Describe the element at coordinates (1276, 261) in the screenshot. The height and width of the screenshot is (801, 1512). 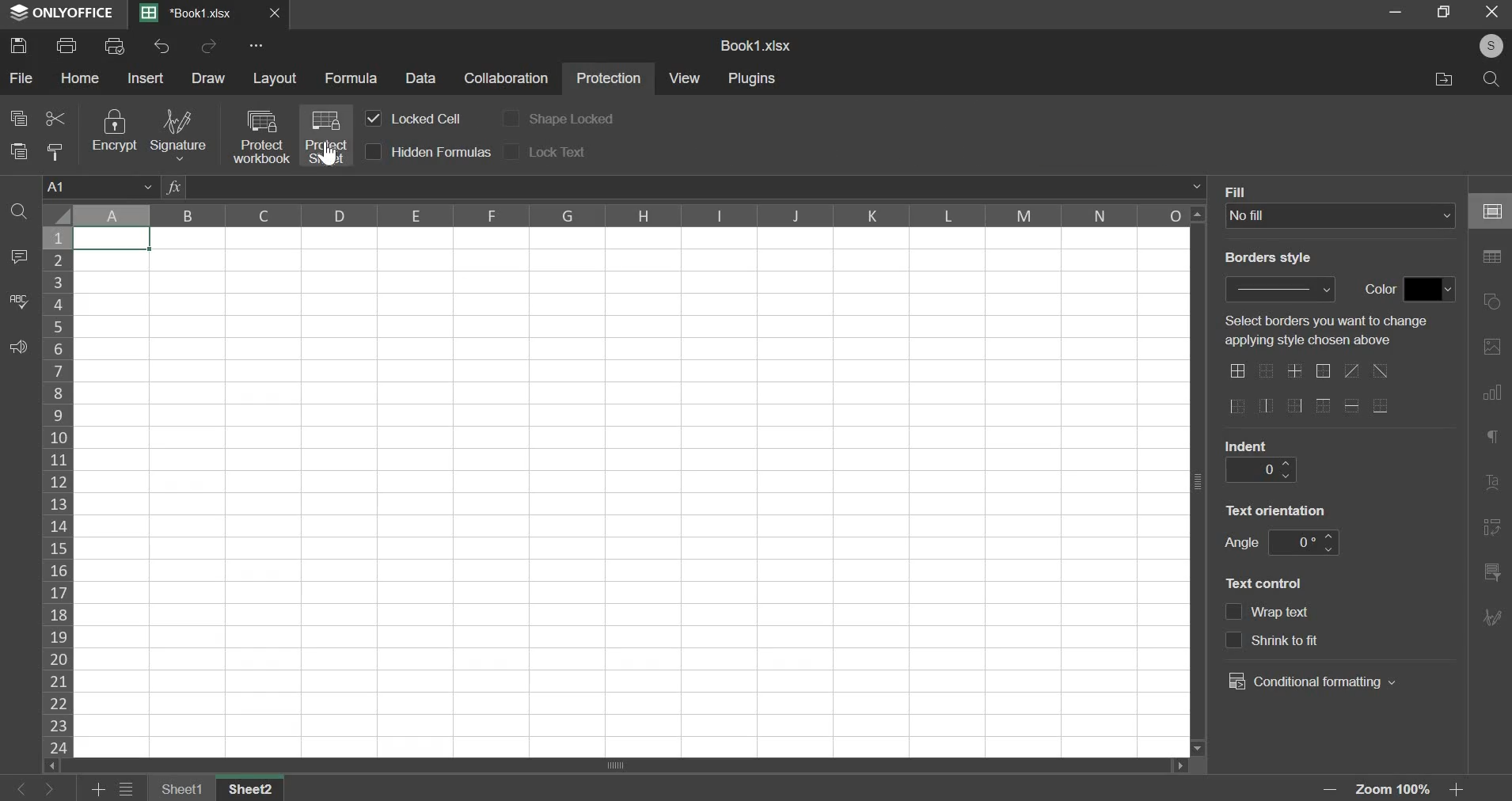
I see `Border style` at that location.